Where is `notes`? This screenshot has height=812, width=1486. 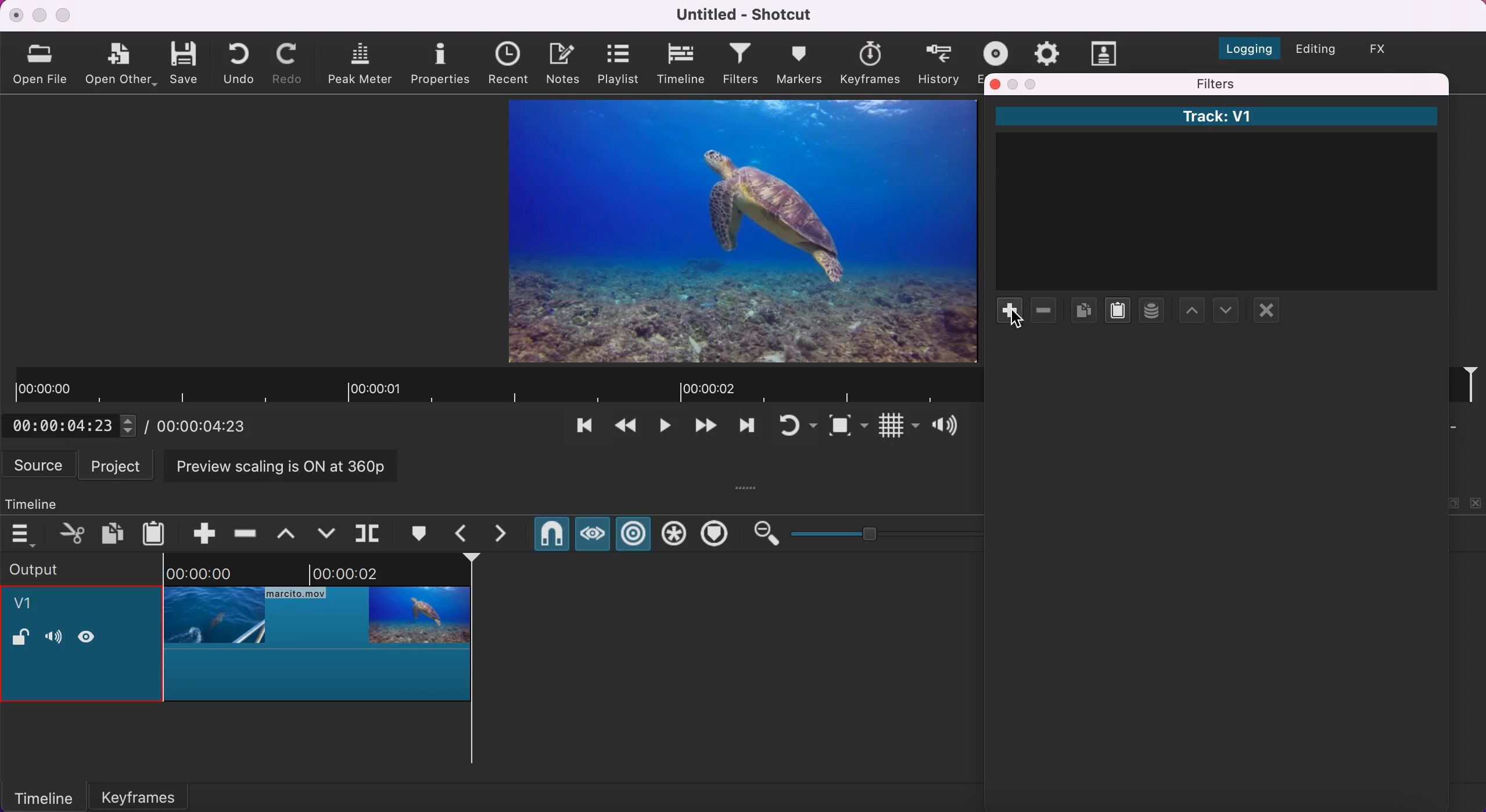 notes is located at coordinates (566, 63).